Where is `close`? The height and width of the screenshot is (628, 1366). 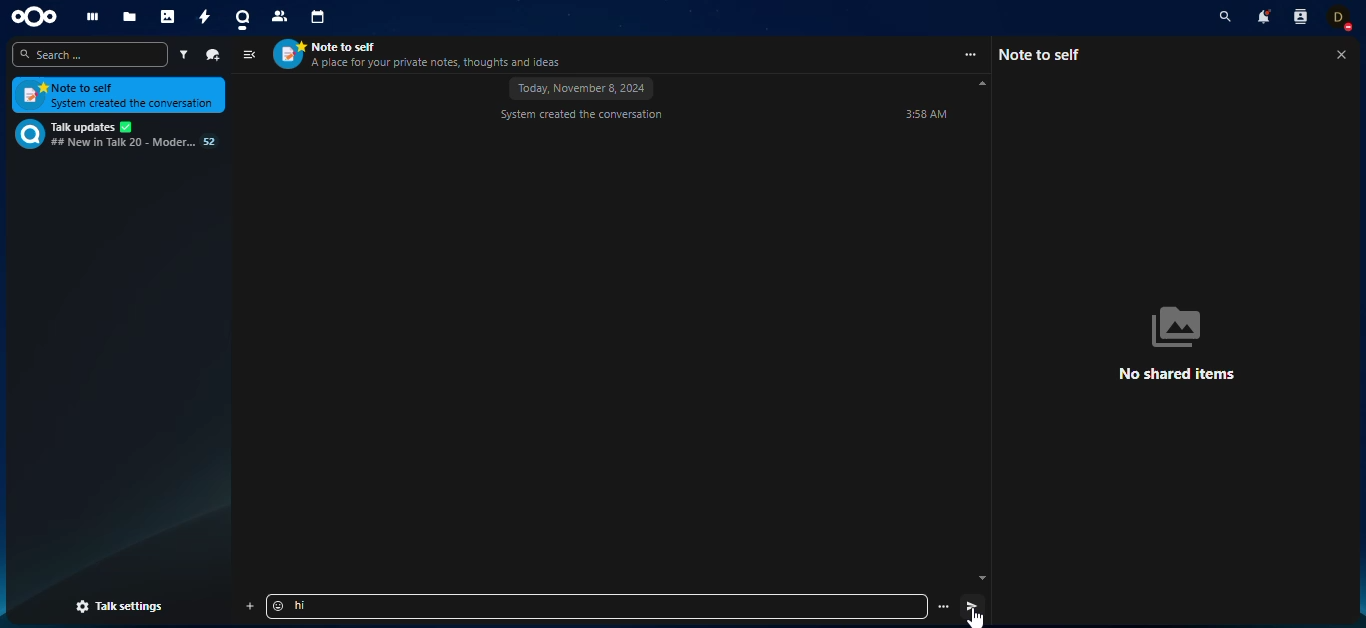 close is located at coordinates (1340, 56).